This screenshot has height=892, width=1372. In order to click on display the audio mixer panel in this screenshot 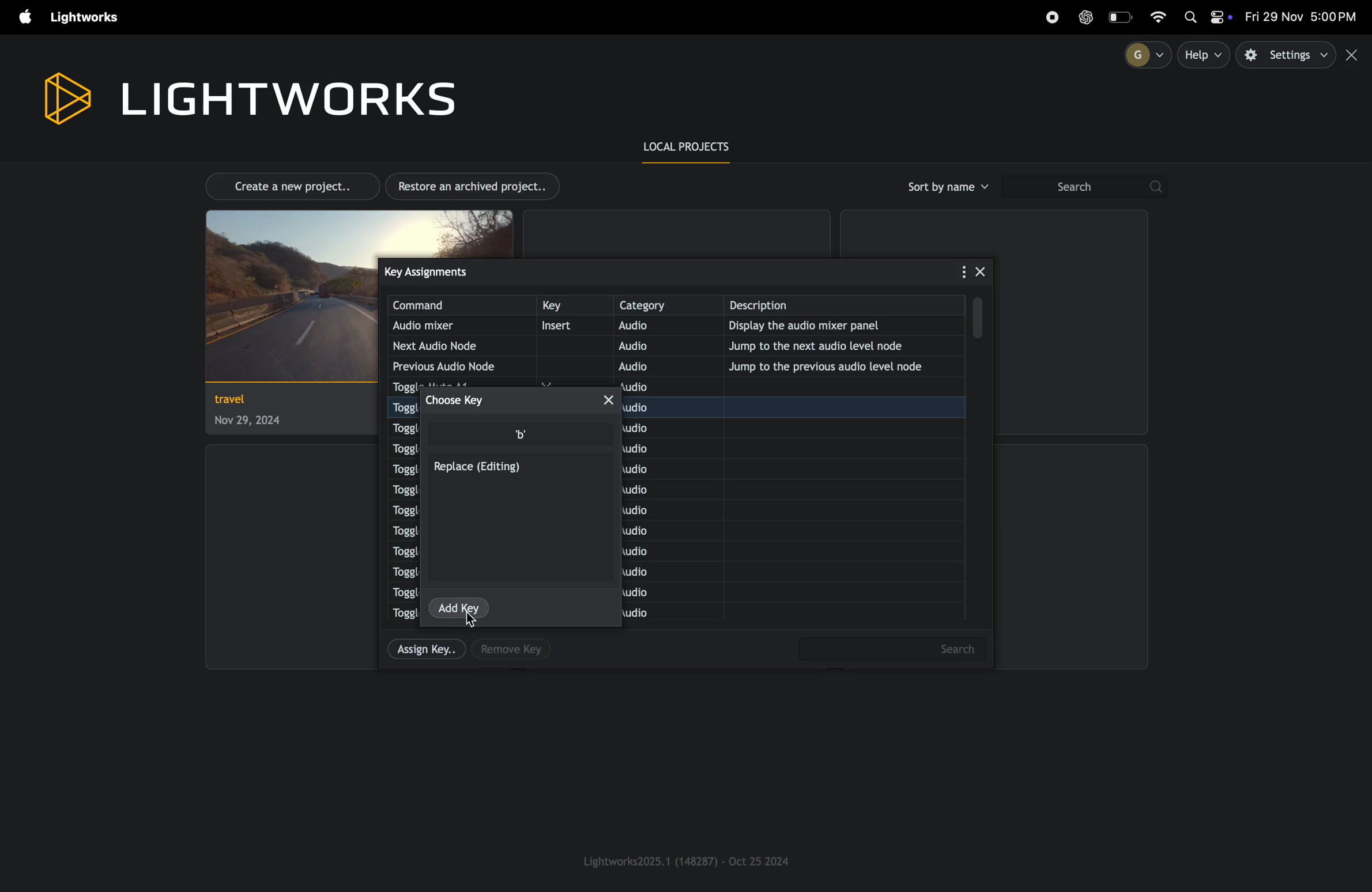, I will do `click(836, 327)`.